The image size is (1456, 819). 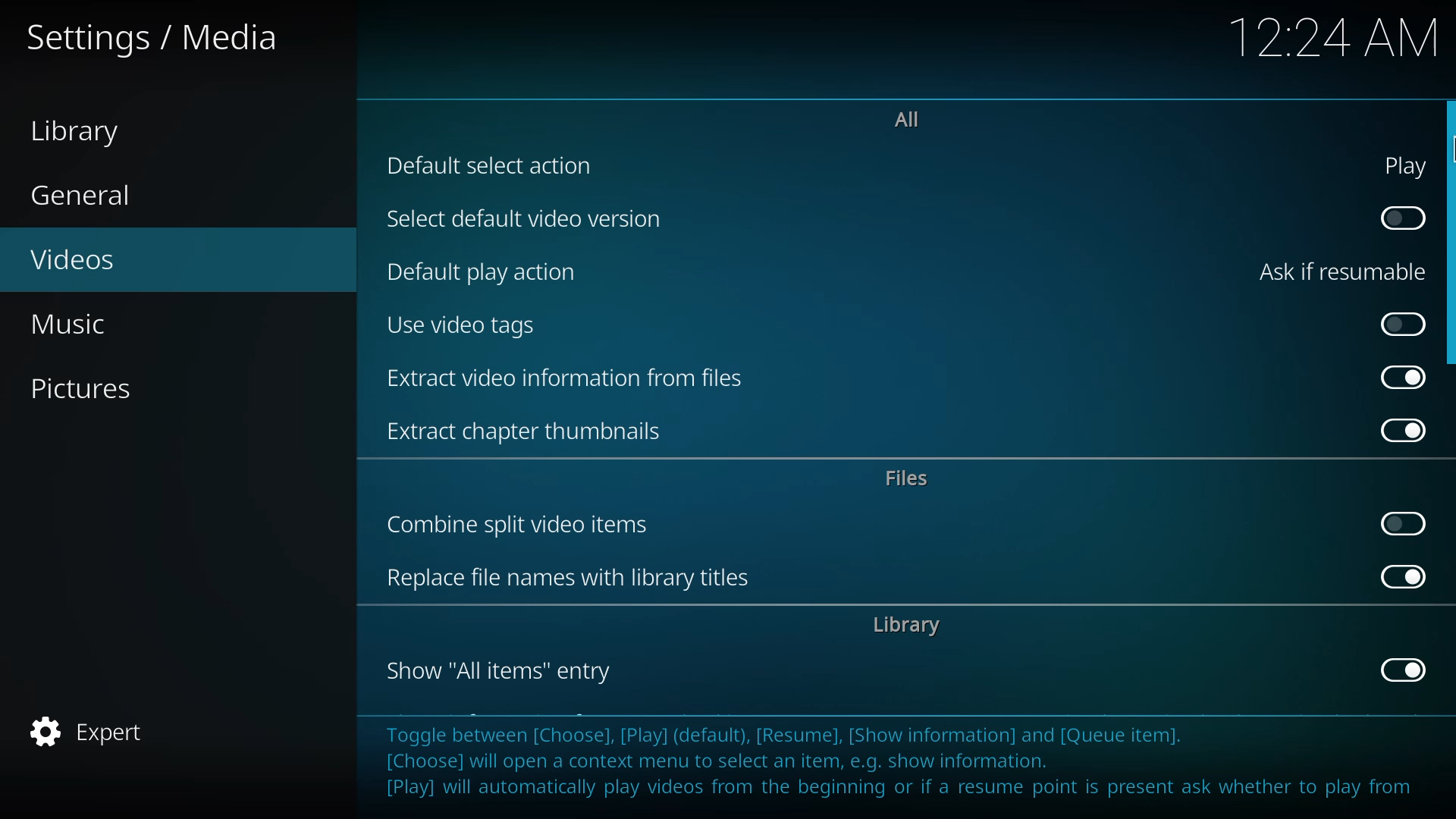 I want to click on videos, so click(x=74, y=260).